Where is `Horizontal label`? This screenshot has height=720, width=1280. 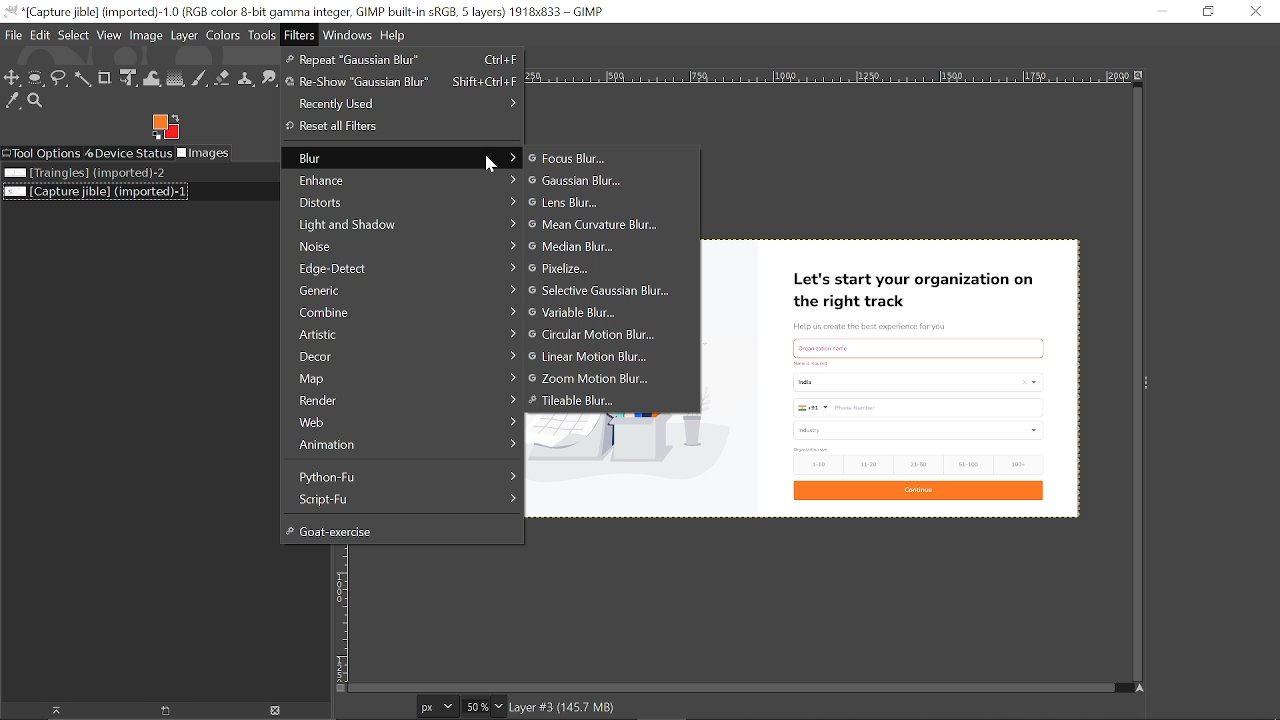 Horizontal label is located at coordinates (826, 77).